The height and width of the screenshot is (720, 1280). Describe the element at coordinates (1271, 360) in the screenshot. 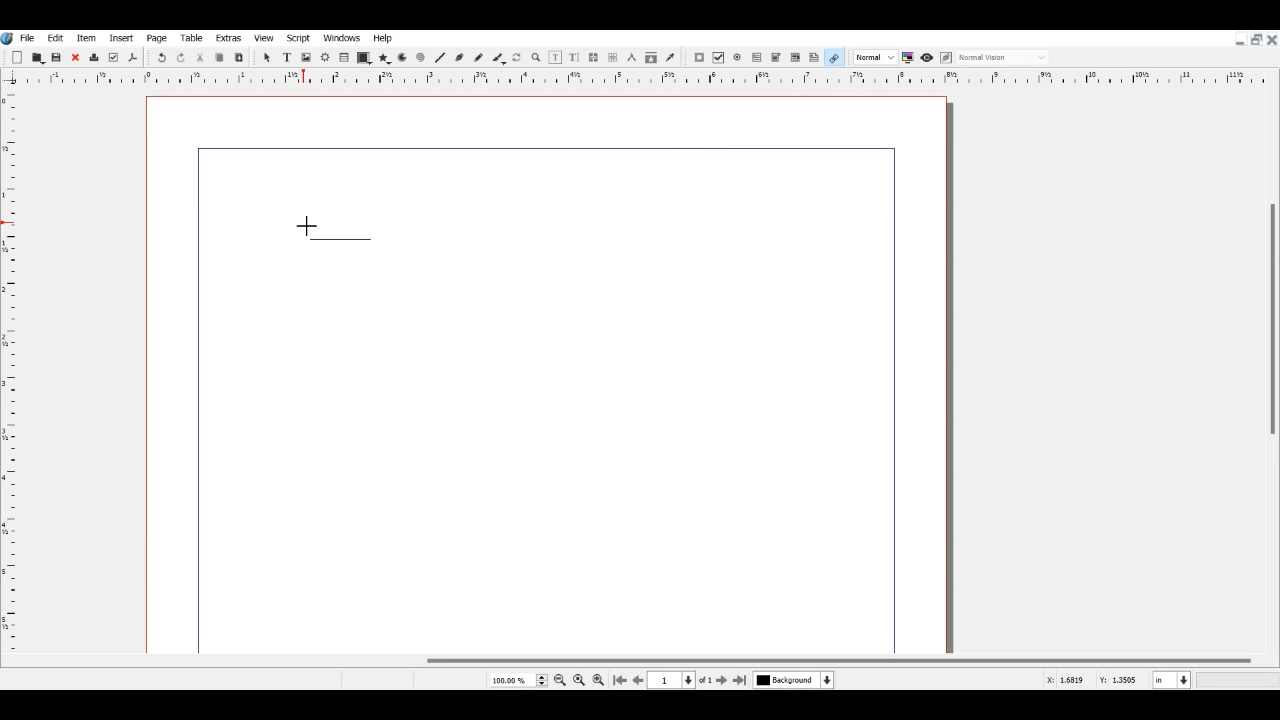

I see `Vertical Scroll Bar` at that location.